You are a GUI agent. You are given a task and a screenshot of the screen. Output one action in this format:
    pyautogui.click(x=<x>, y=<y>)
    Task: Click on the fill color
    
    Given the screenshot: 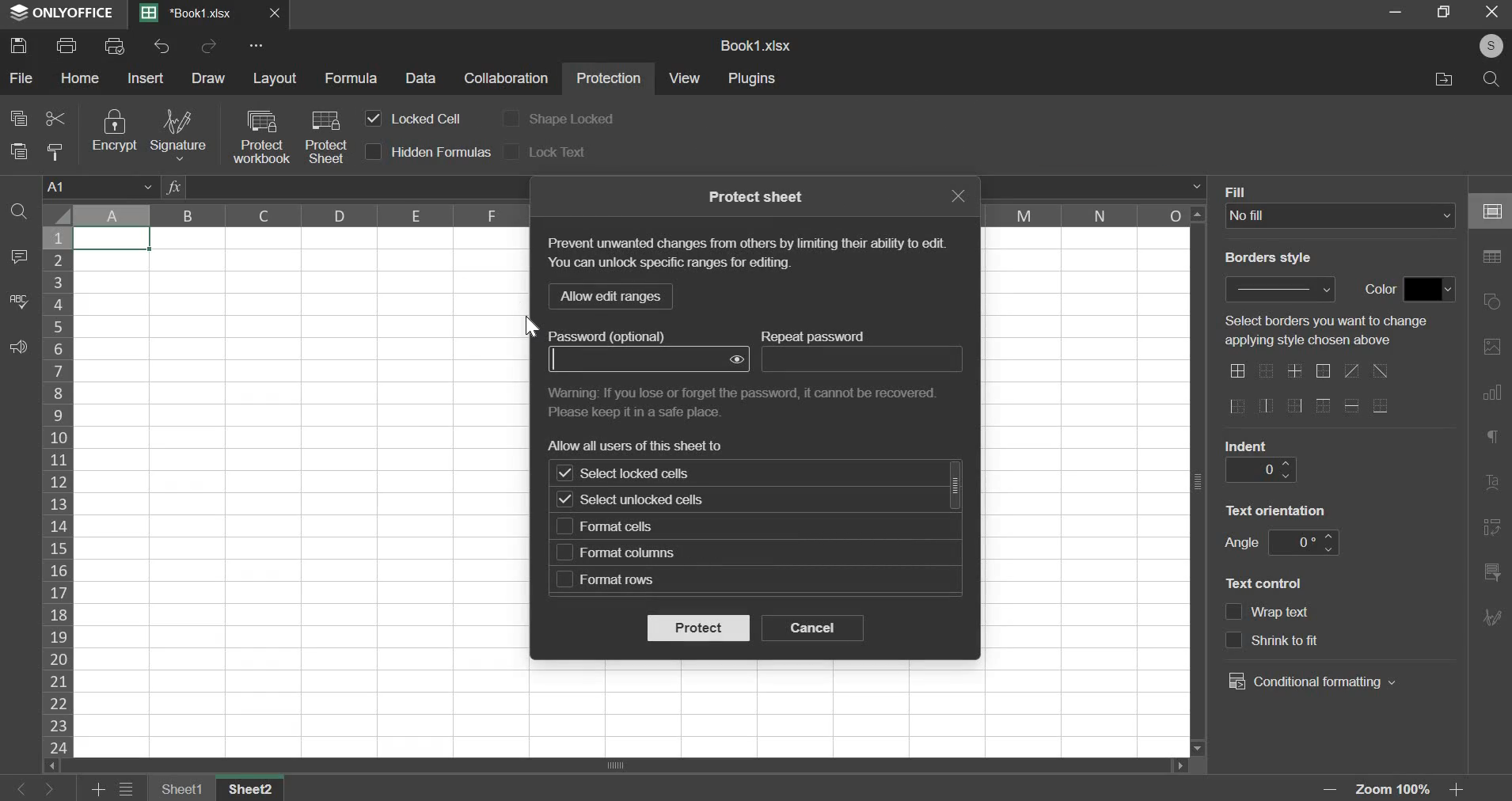 What is the action you would take?
    pyautogui.click(x=1430, y=289)
    